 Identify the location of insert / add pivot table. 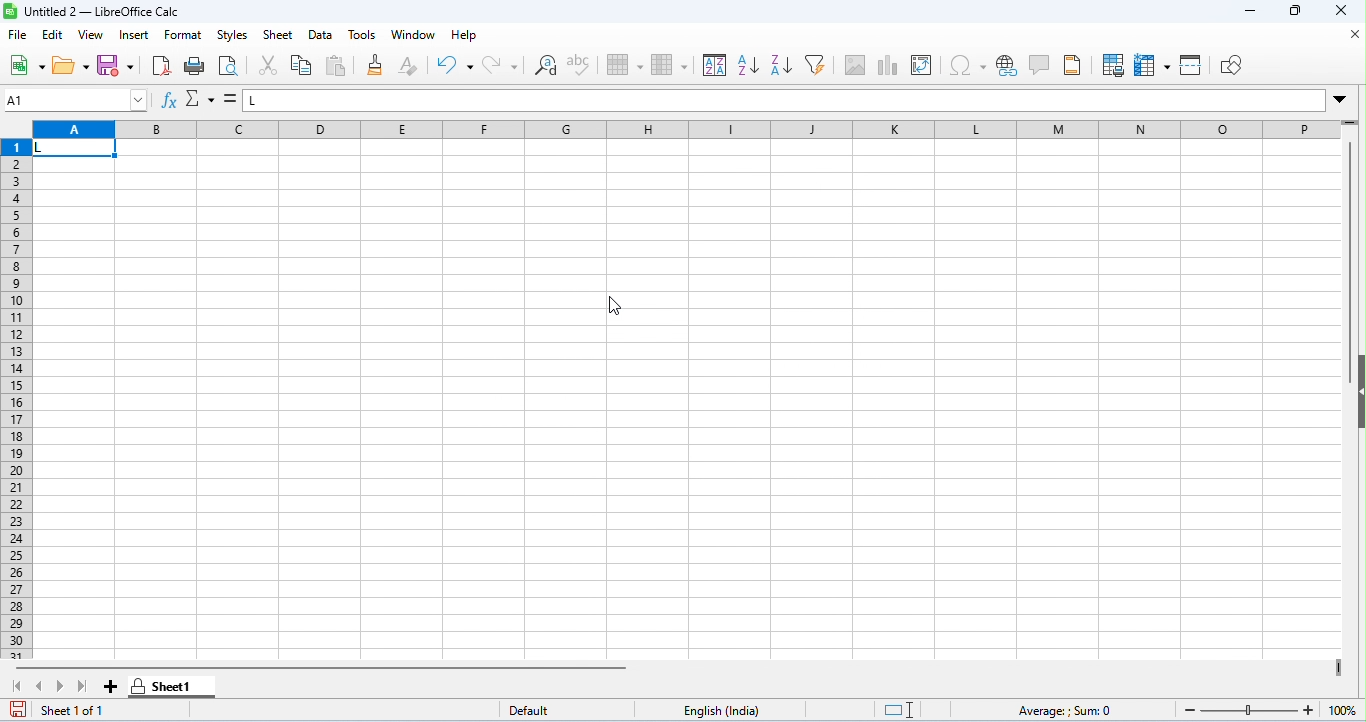
(922, 65).